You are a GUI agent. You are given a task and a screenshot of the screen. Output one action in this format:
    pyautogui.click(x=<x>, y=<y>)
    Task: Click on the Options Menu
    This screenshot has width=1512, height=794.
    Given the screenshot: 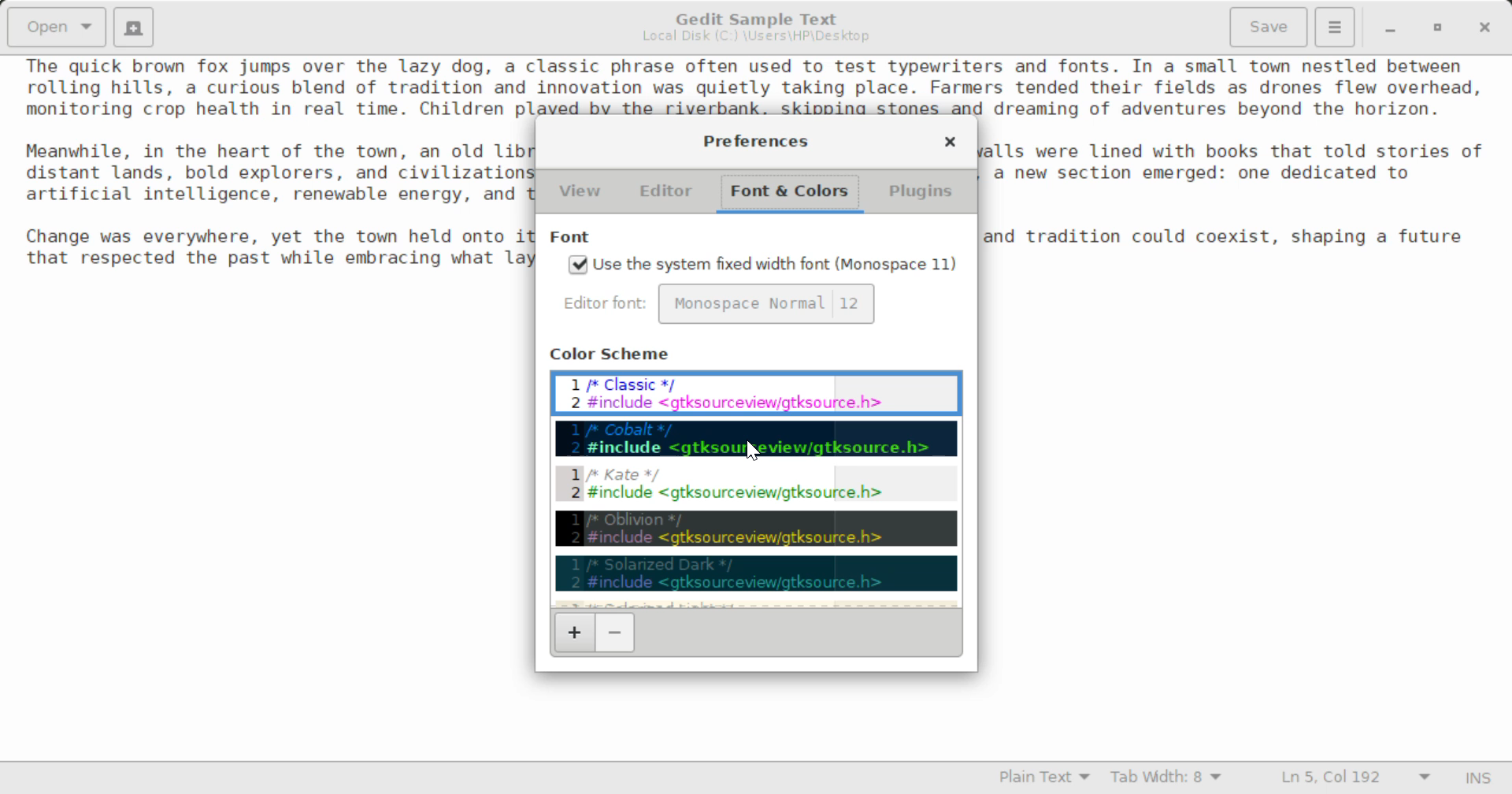 What is the action you would take?
    pyautogui.click(x=1333, y=26)
    